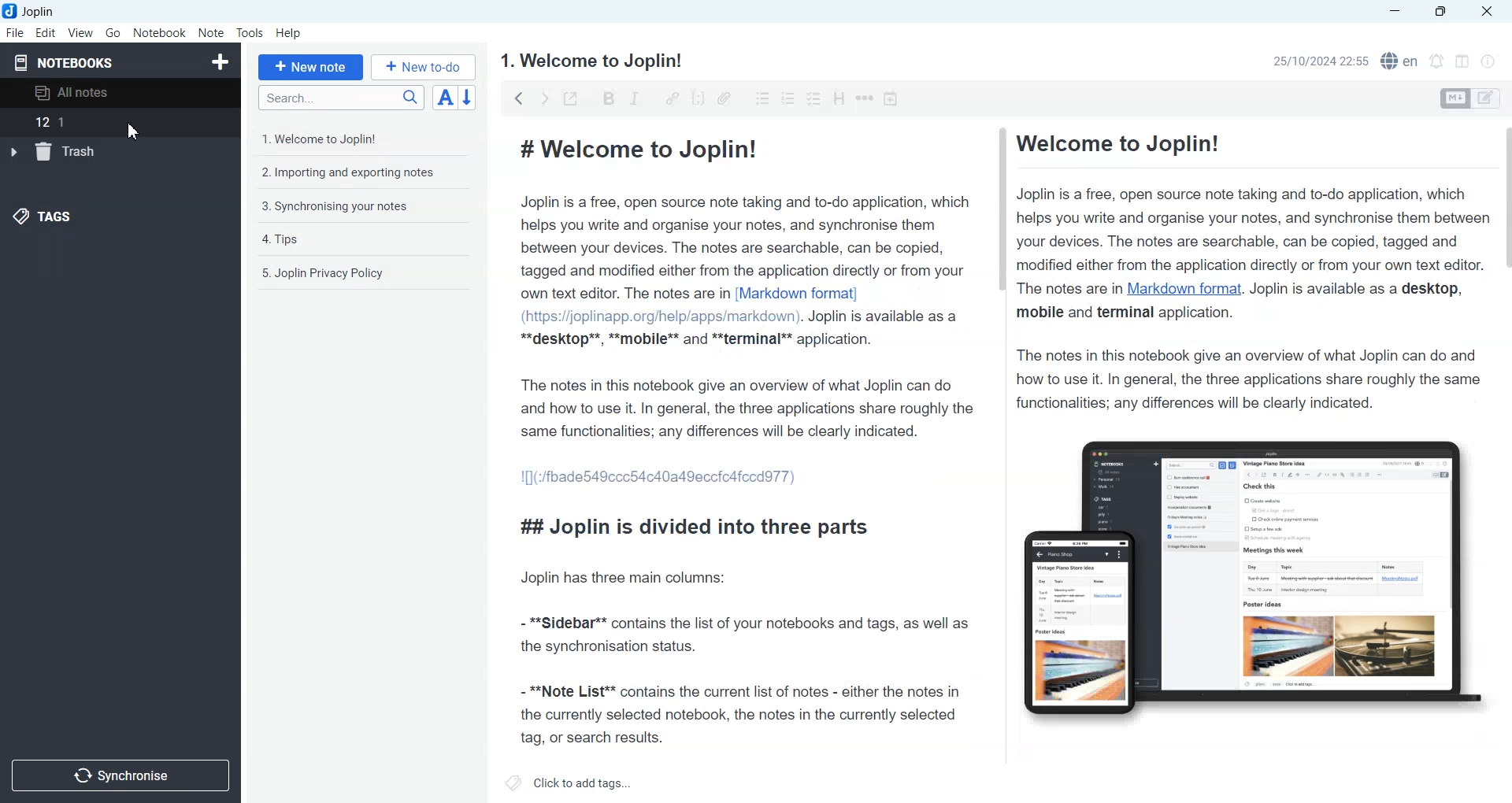 The height and width of the screenshot is (803, 1512). I want to click on Toggle editor layout, so click(1462, 61).